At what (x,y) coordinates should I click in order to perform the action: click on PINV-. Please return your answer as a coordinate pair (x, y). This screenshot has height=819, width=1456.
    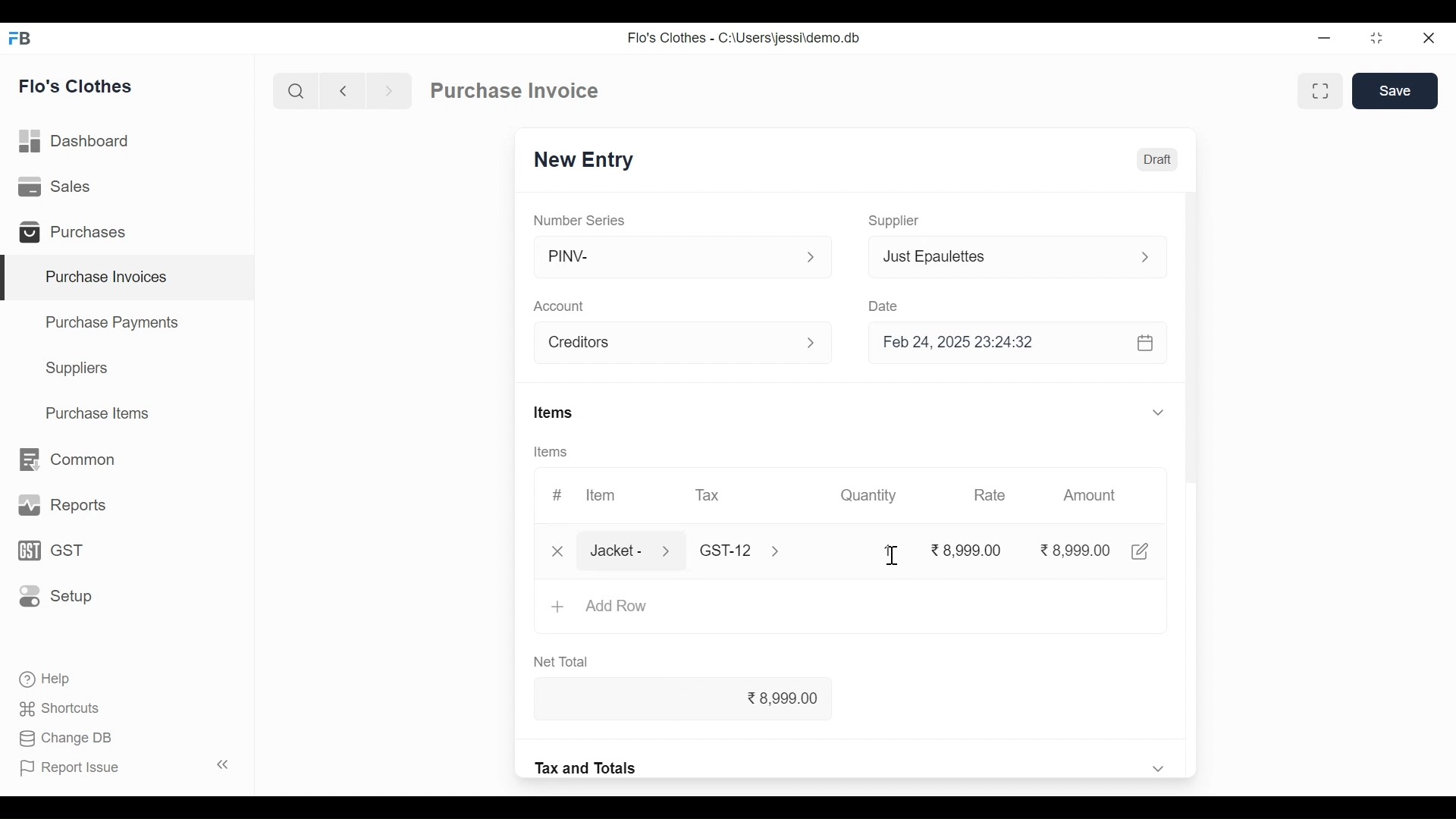
    Looking at the image, I should click on (667, 257).